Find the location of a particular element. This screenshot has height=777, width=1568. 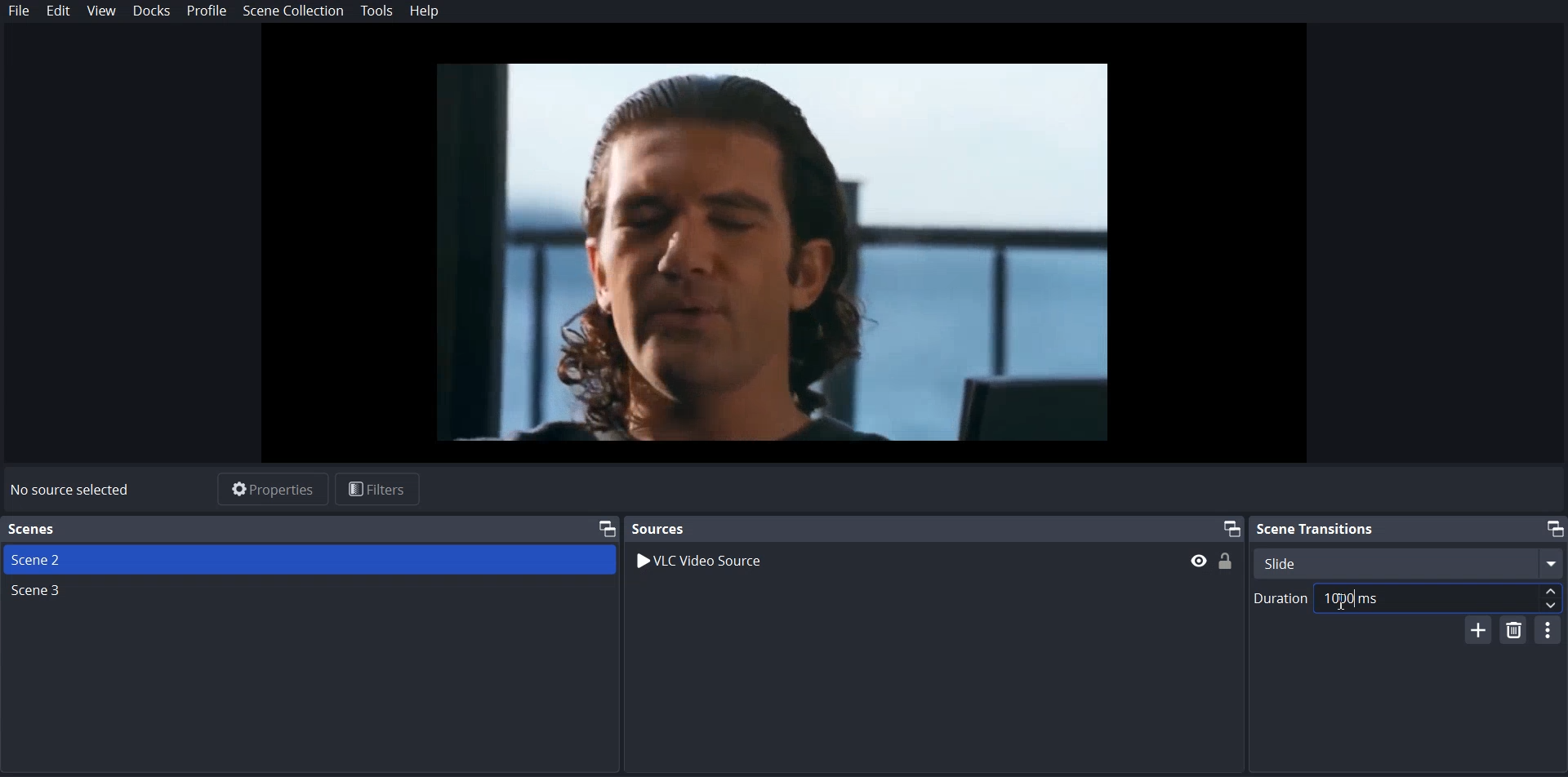

Add Configurable Transition is located at coordinates (1480, 628).